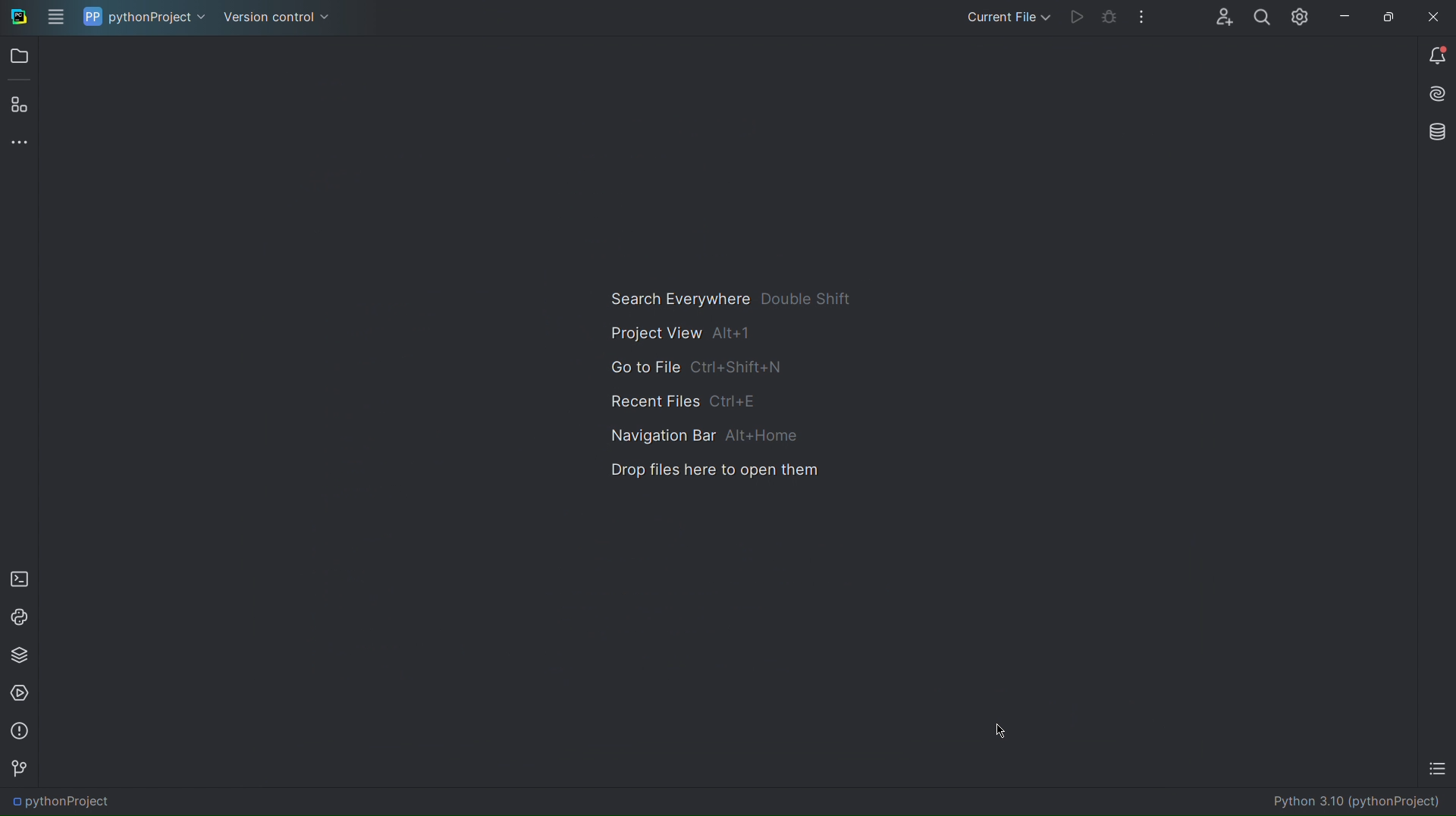 The image size is (1456, 816). Describe the element at coordinates (20, 615) in the screenshot. I see `Python Console` at that location.